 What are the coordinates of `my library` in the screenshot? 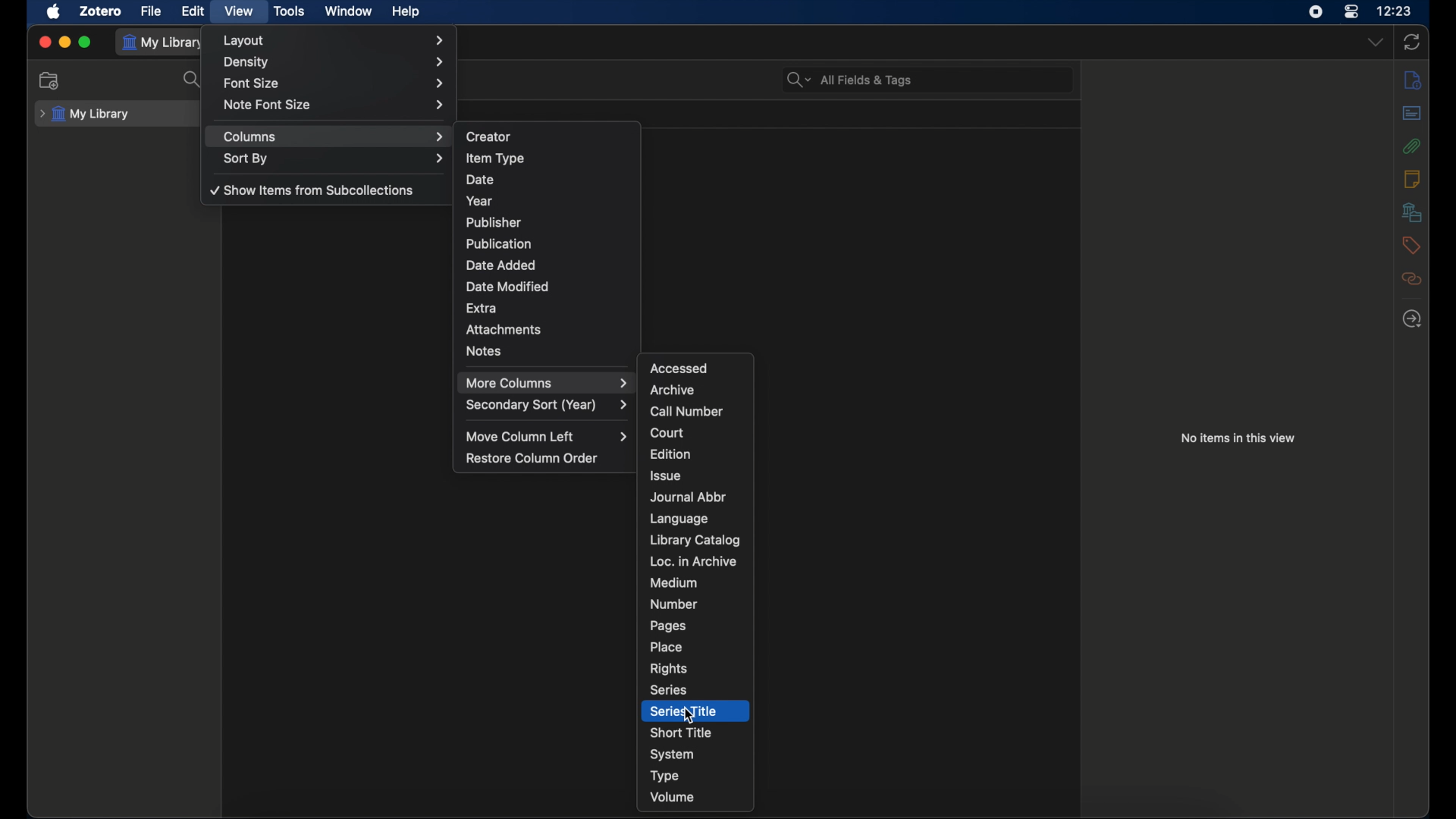 It's located at (85, 115).